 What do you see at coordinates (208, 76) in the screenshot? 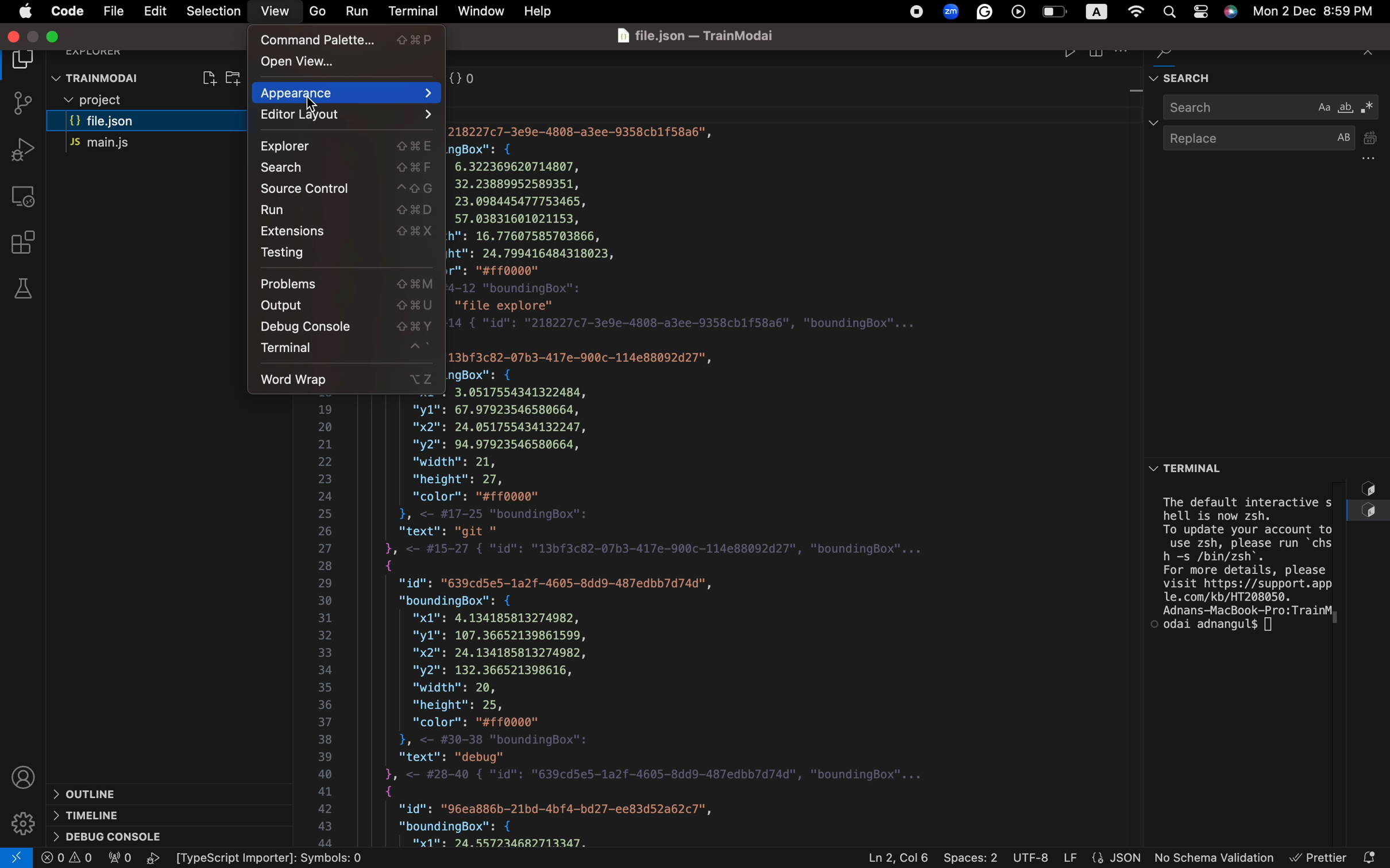
I see `create file` at bounding box center [208, 76].